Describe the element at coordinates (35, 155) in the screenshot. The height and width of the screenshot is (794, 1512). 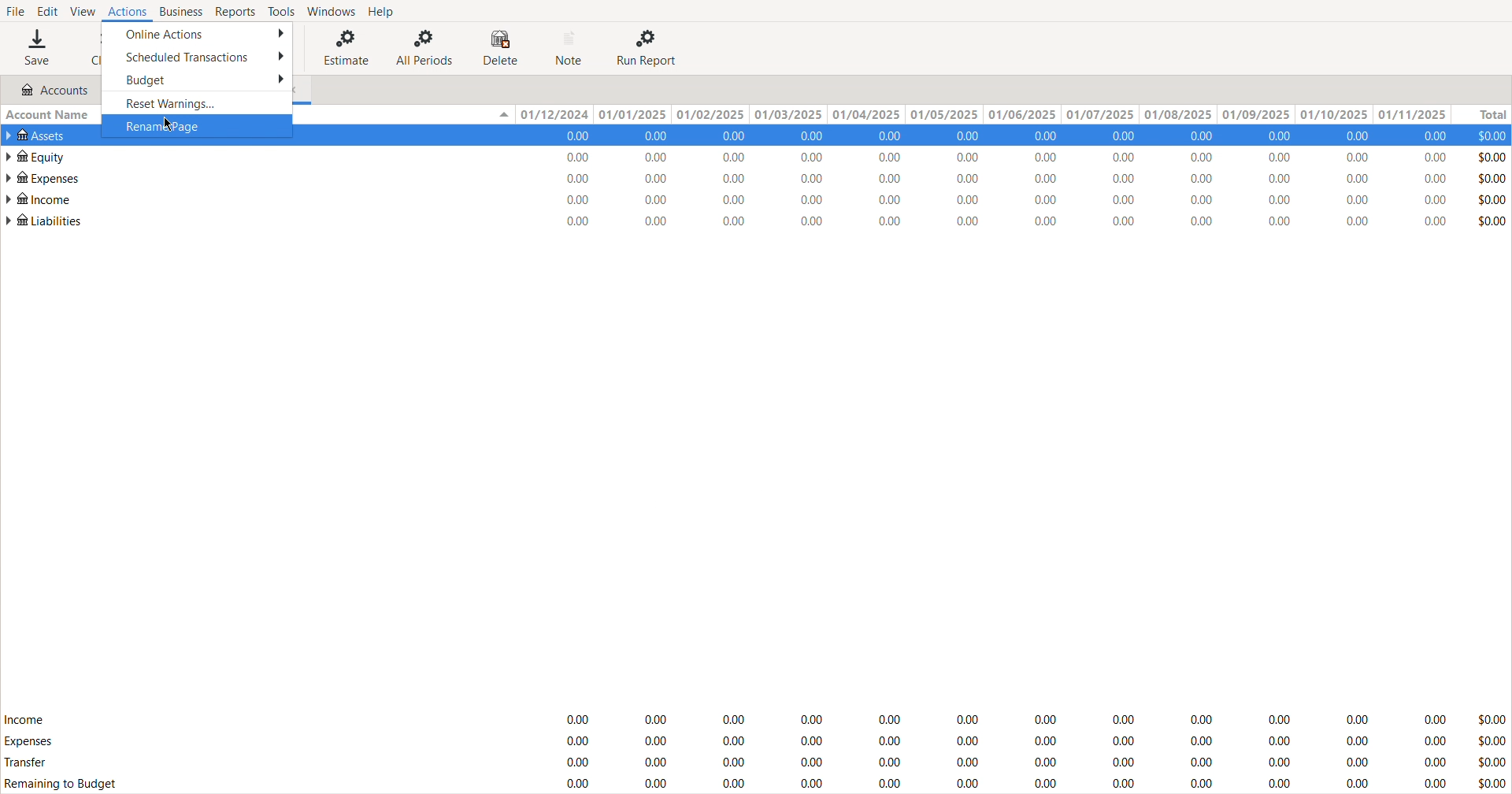
I see `Equity` at that location.